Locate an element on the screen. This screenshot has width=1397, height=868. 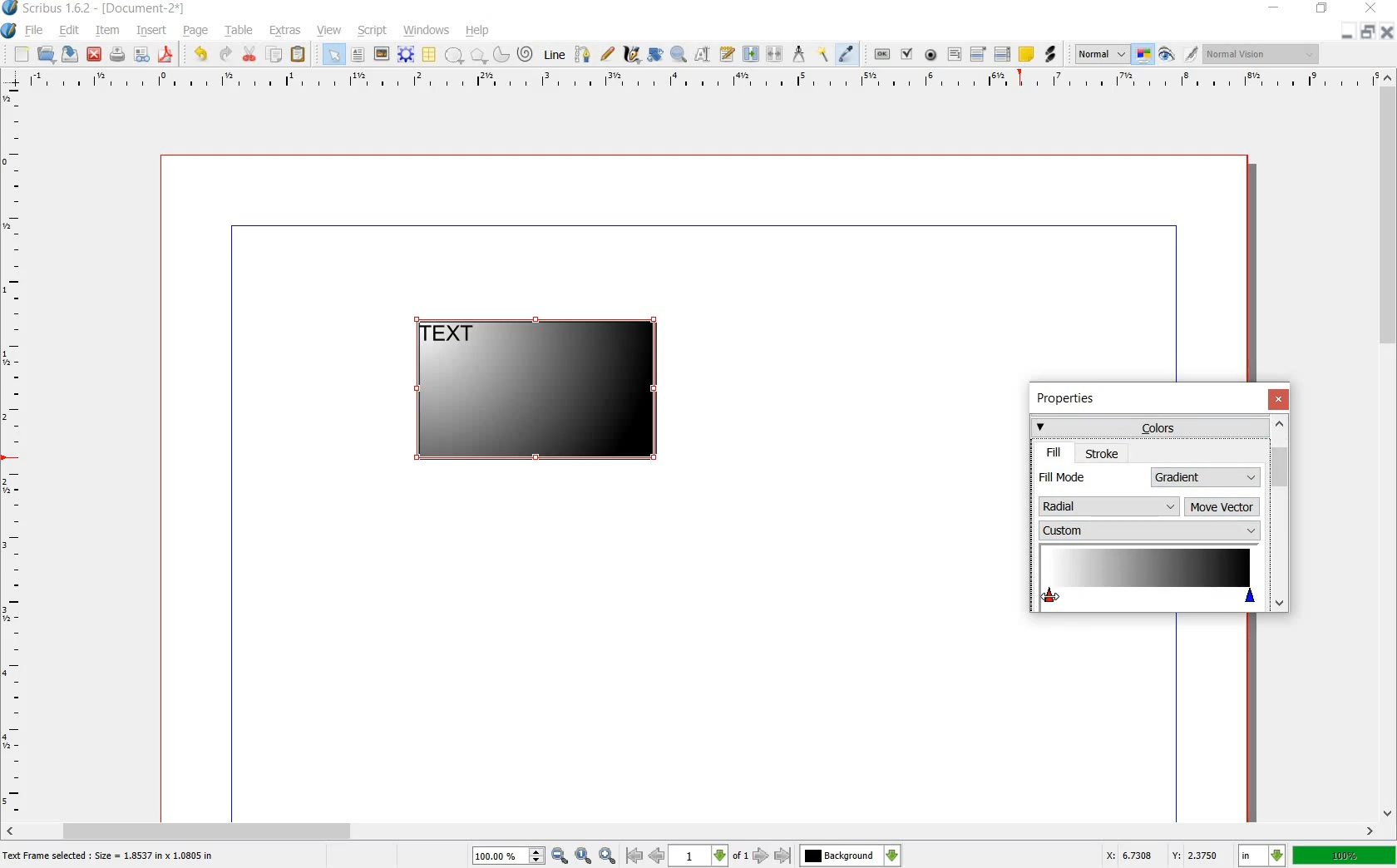
color stop is located at coordinates (1147, 579).